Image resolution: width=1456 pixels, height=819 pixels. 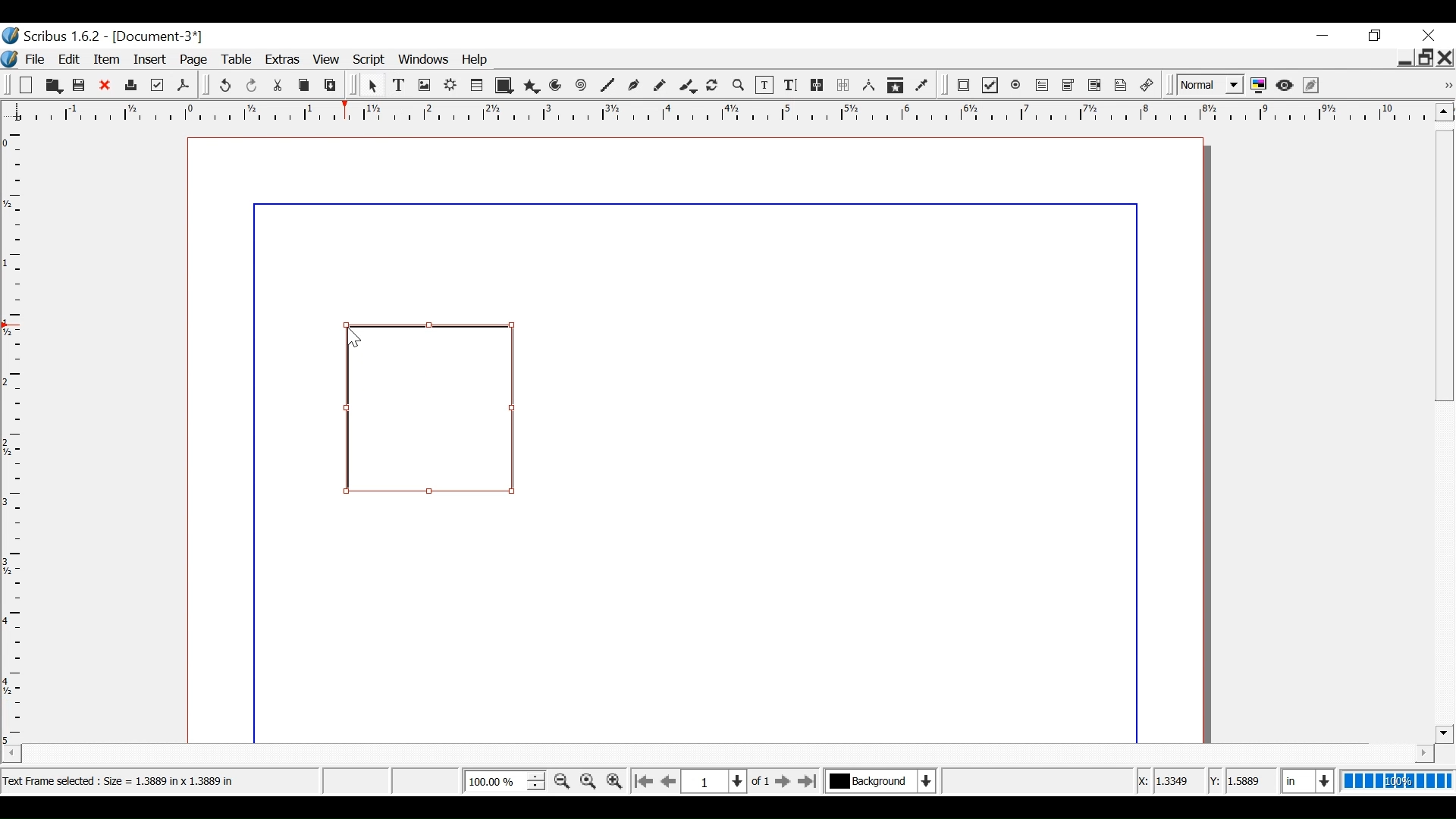 What do you see at coordinates (80, 84) in the screenshot?
I see `Save` at bounding box center [80, 84].